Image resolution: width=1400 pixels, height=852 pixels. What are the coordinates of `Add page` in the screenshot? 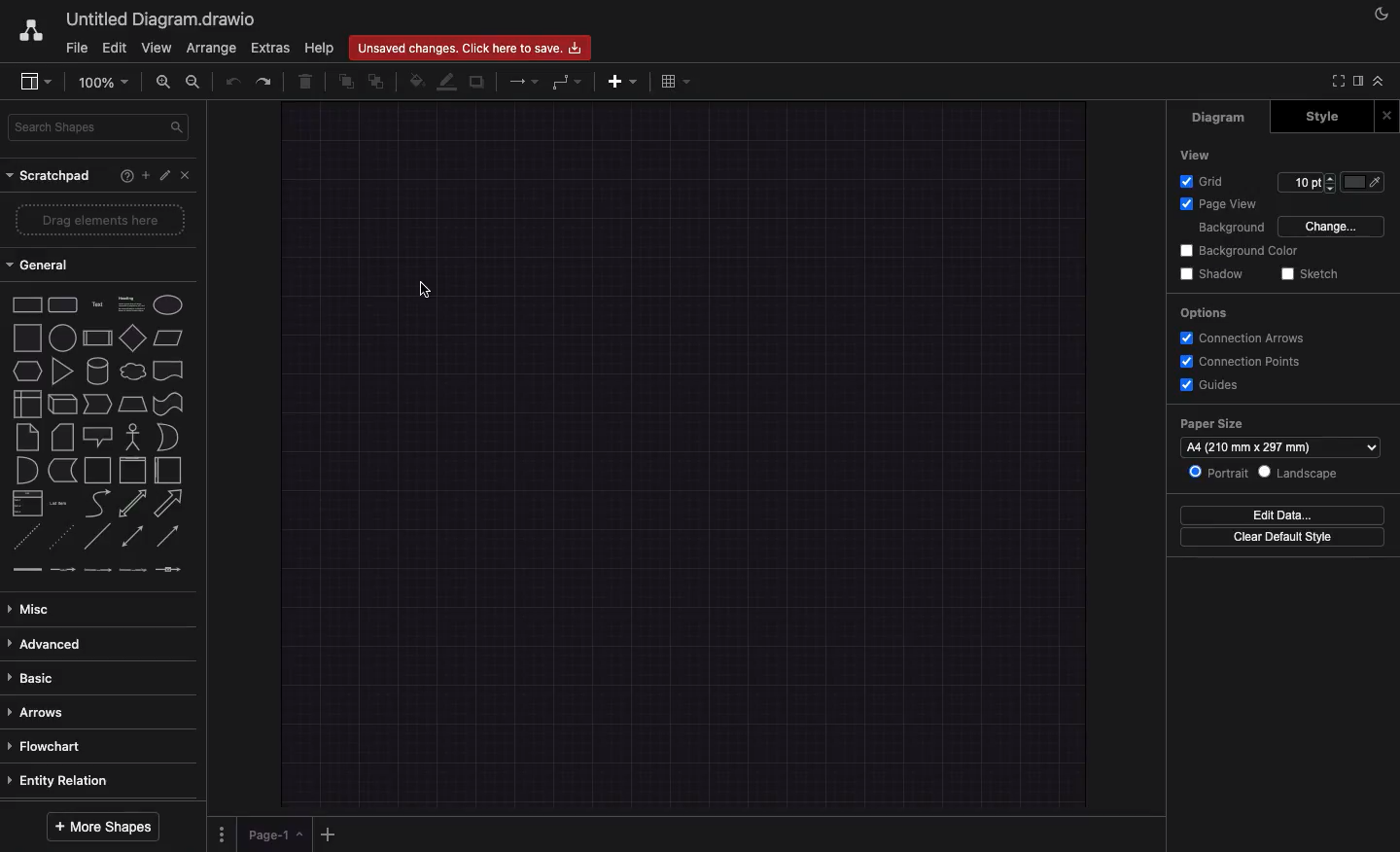 It's located at (327, 835).